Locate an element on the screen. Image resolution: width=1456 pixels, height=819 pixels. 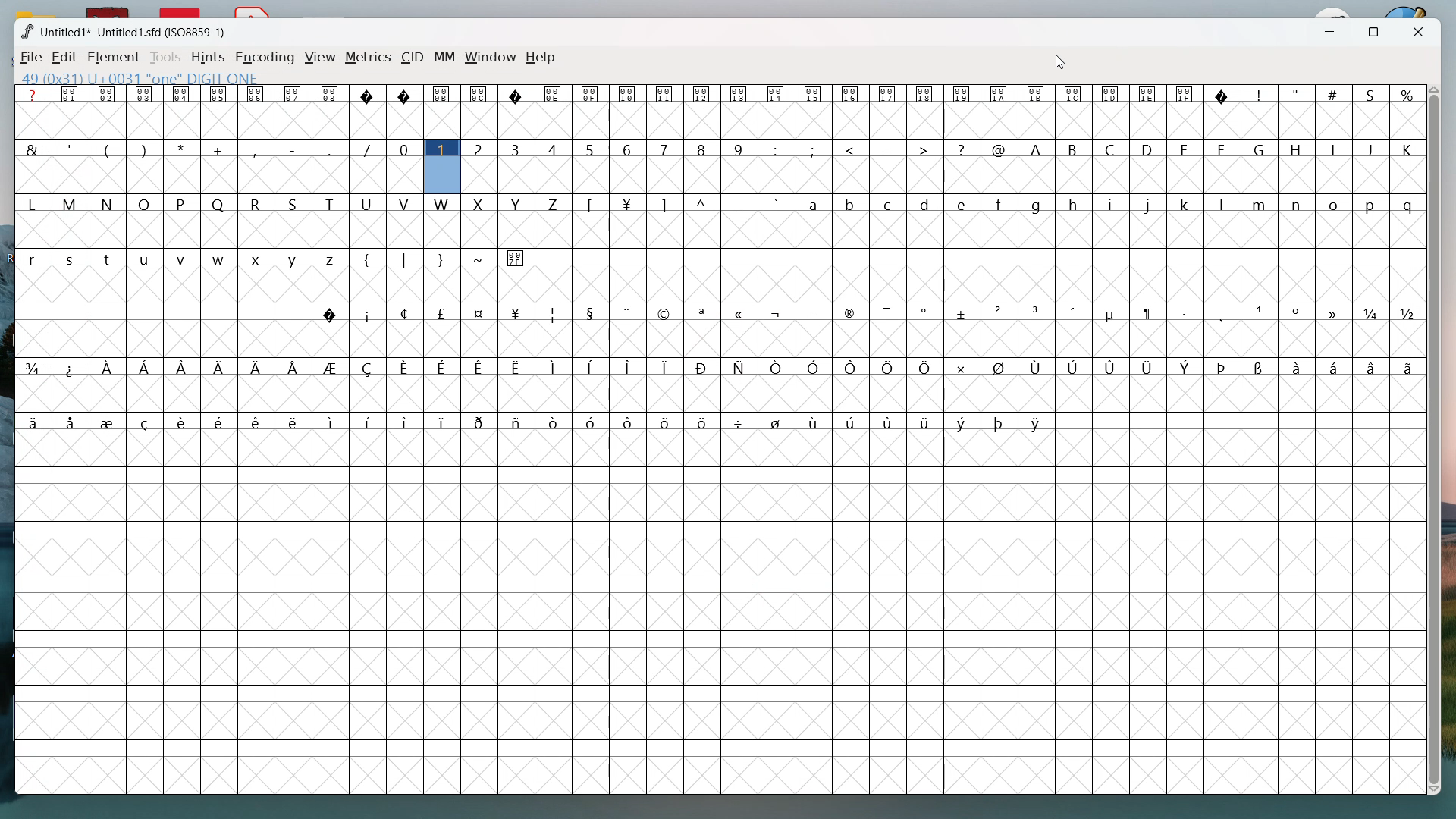
symbol is located at coordinates (369, 313).